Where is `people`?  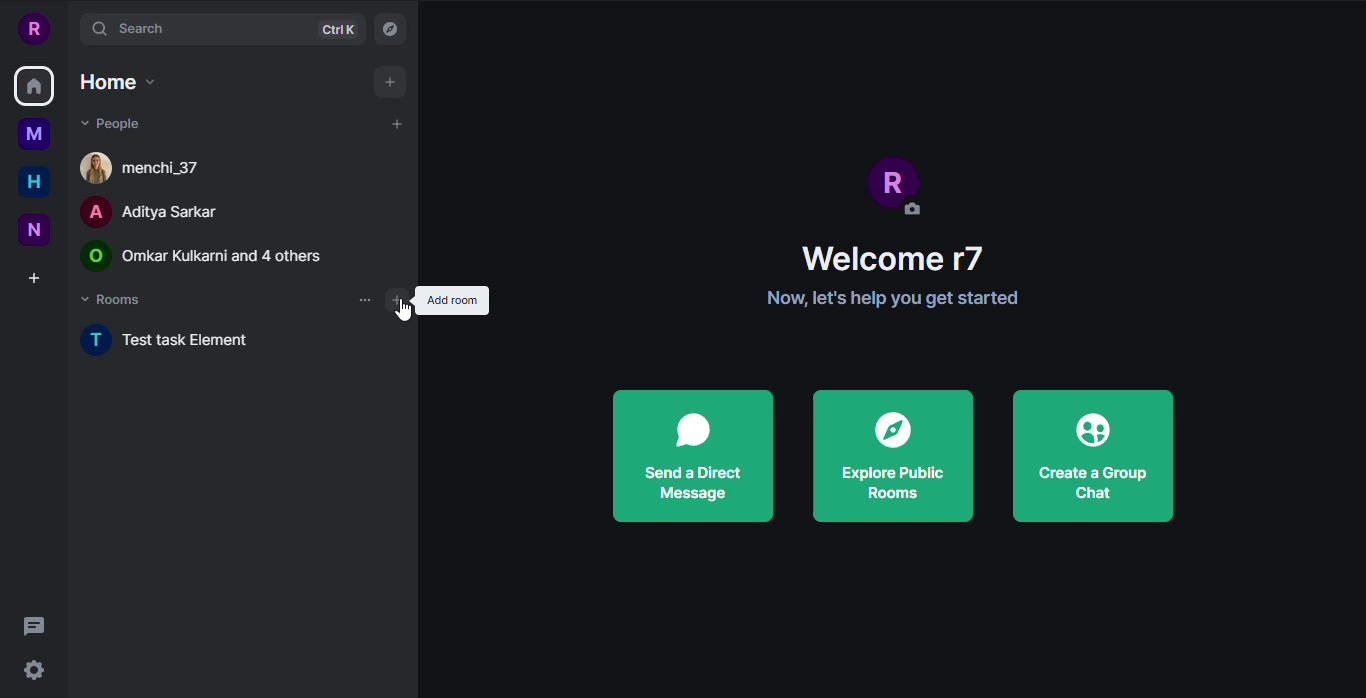 people is located at coordinates (151, 165).